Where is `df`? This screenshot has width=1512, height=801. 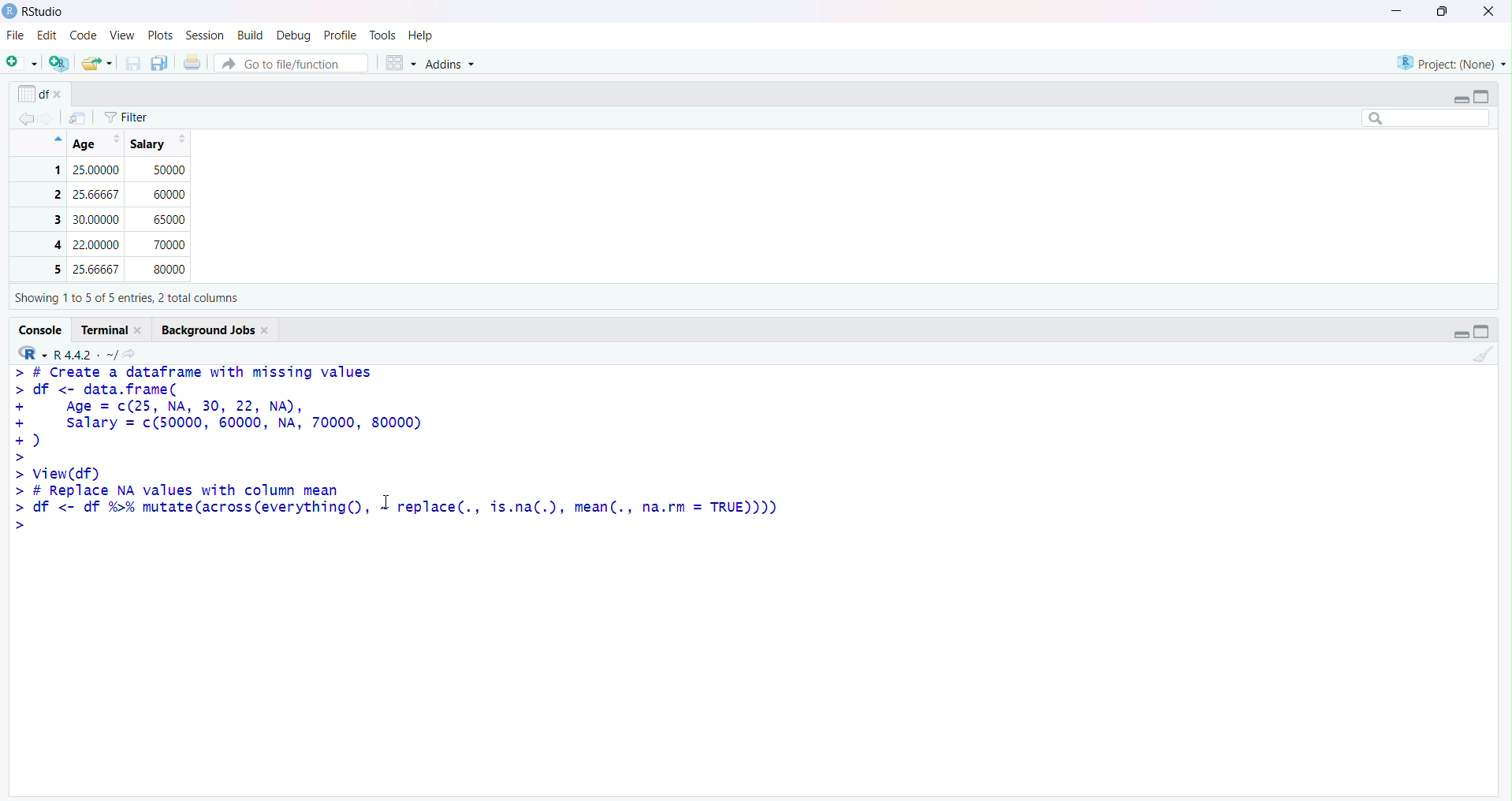 df is located at coordinates (45, 91).